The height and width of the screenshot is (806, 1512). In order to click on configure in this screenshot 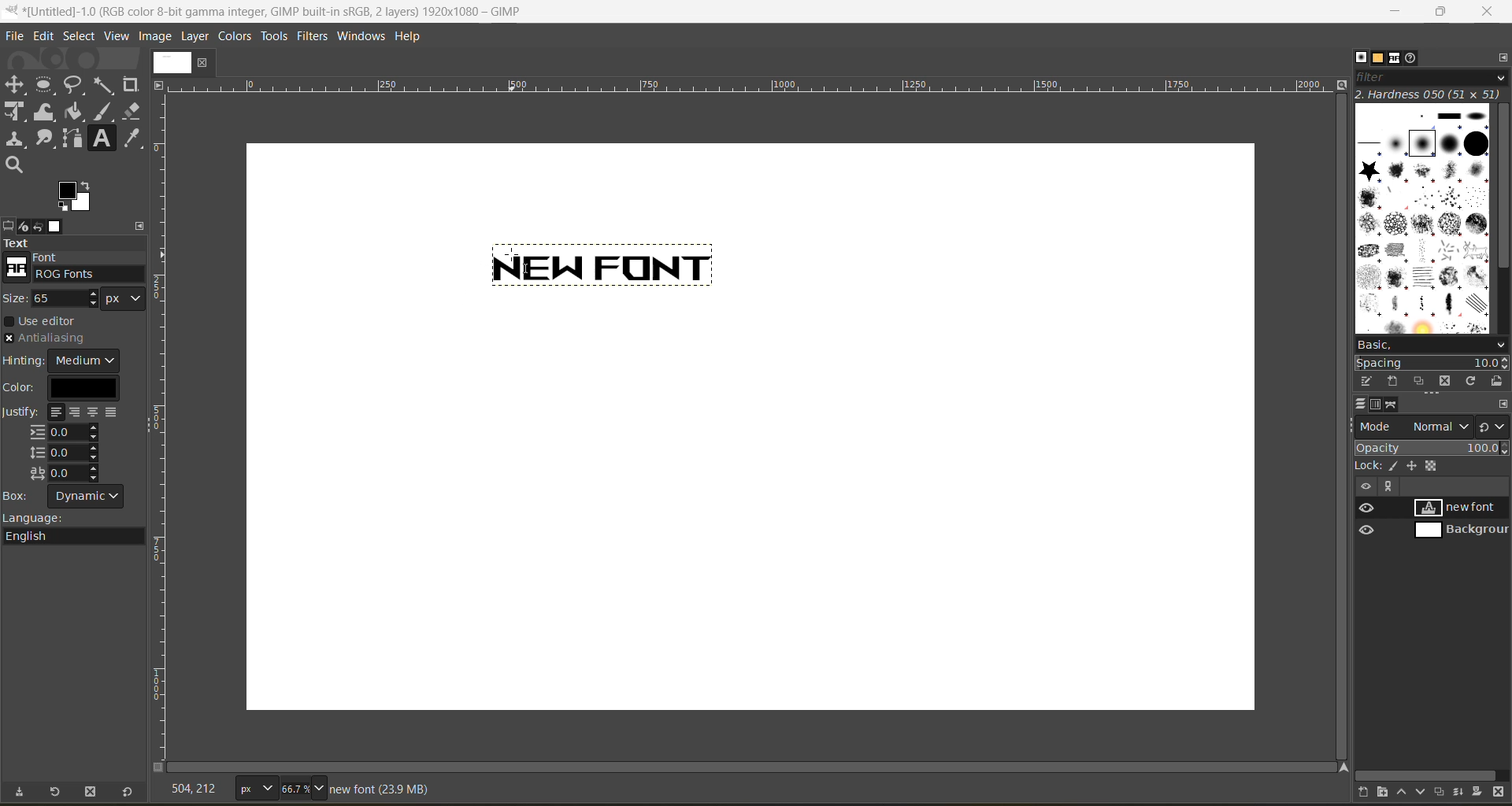, I will do `click(137, 223)`.